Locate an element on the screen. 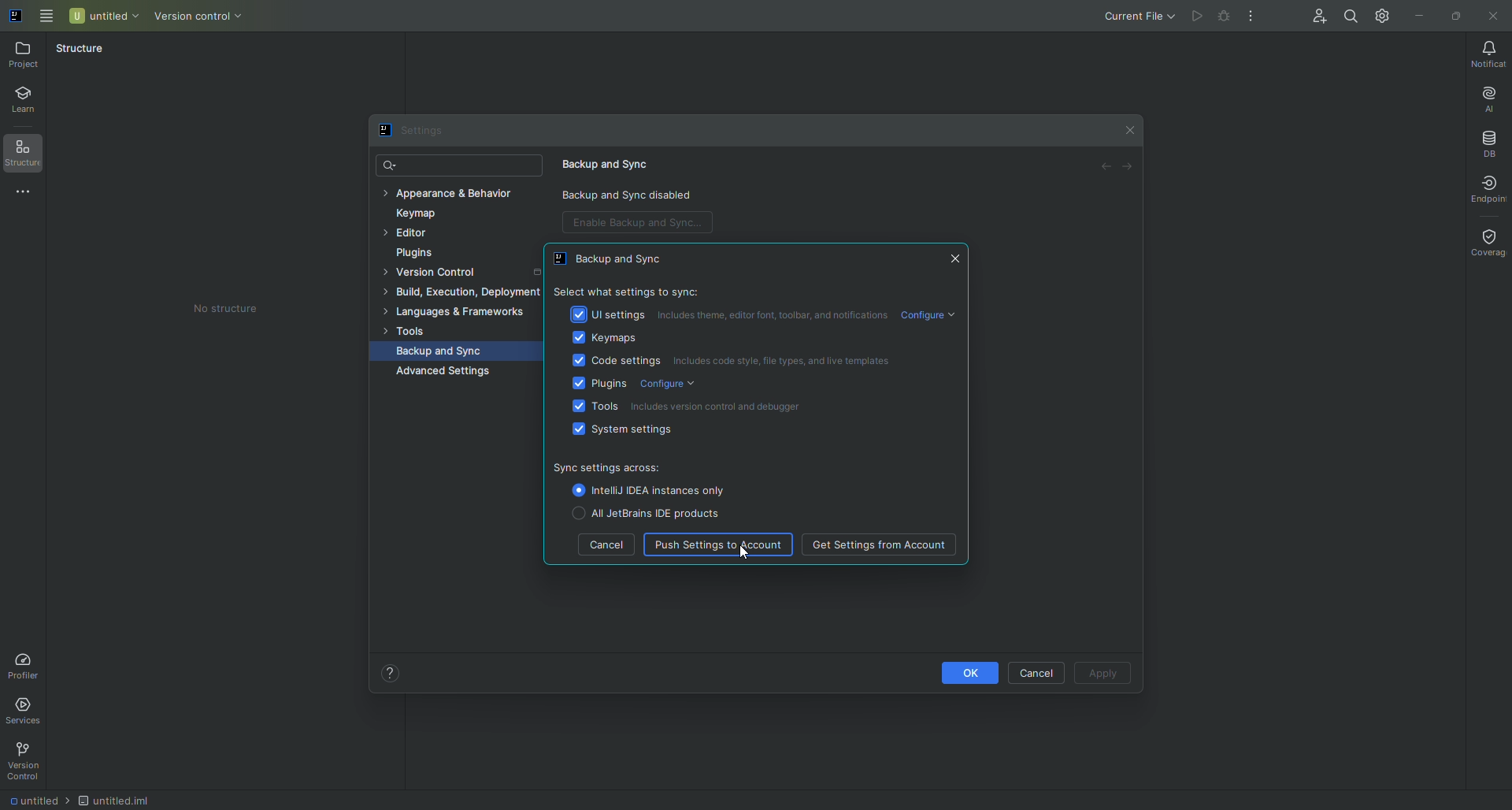 This screenshot has height=810, width=1512. More tools is located at coordinates (29, 193).